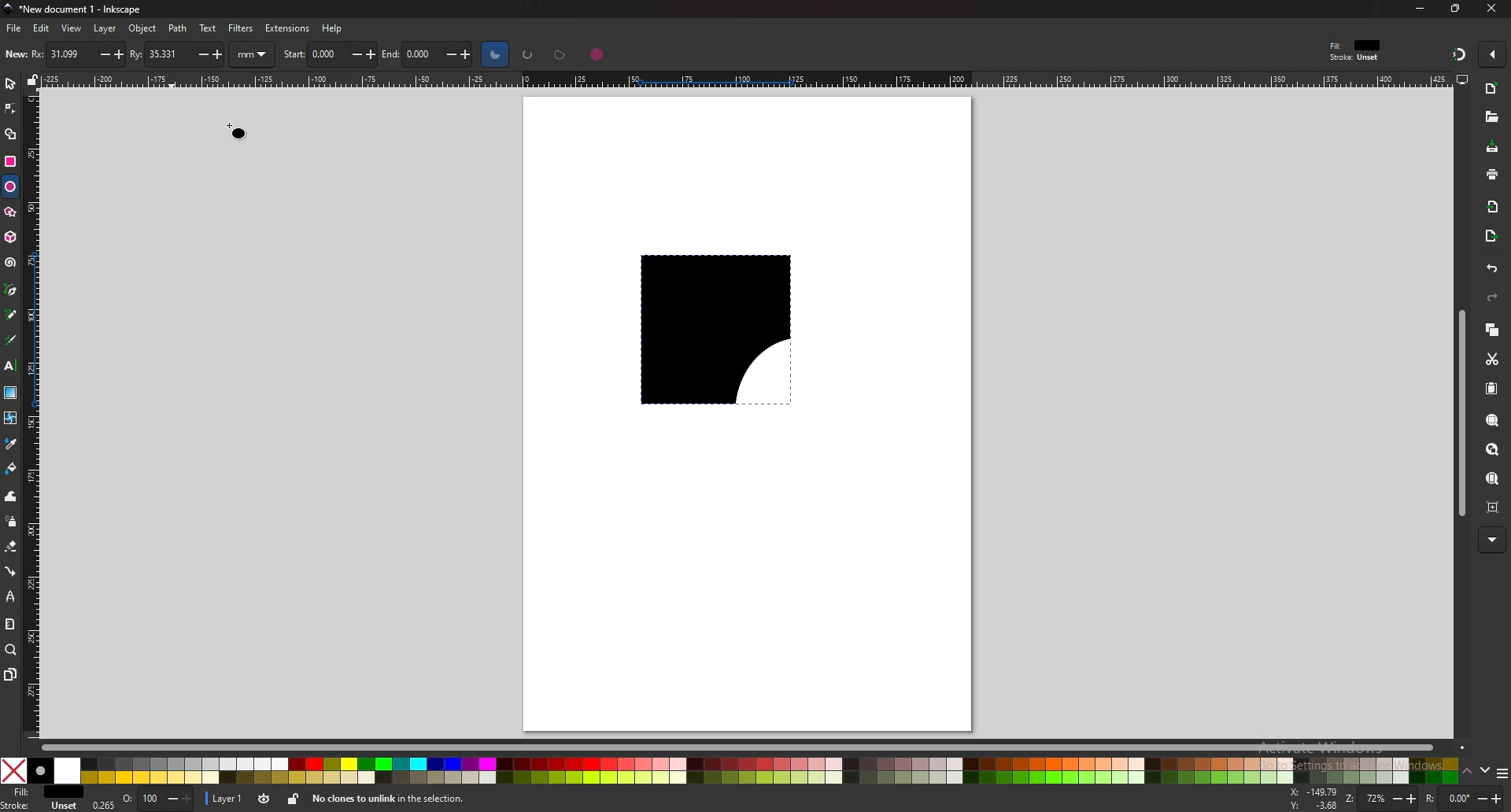 The image size is (1511, 812). What do you see at coordinates (1488, 9) in the screenshot?
I see `close` at bounding box center [1488, 9].